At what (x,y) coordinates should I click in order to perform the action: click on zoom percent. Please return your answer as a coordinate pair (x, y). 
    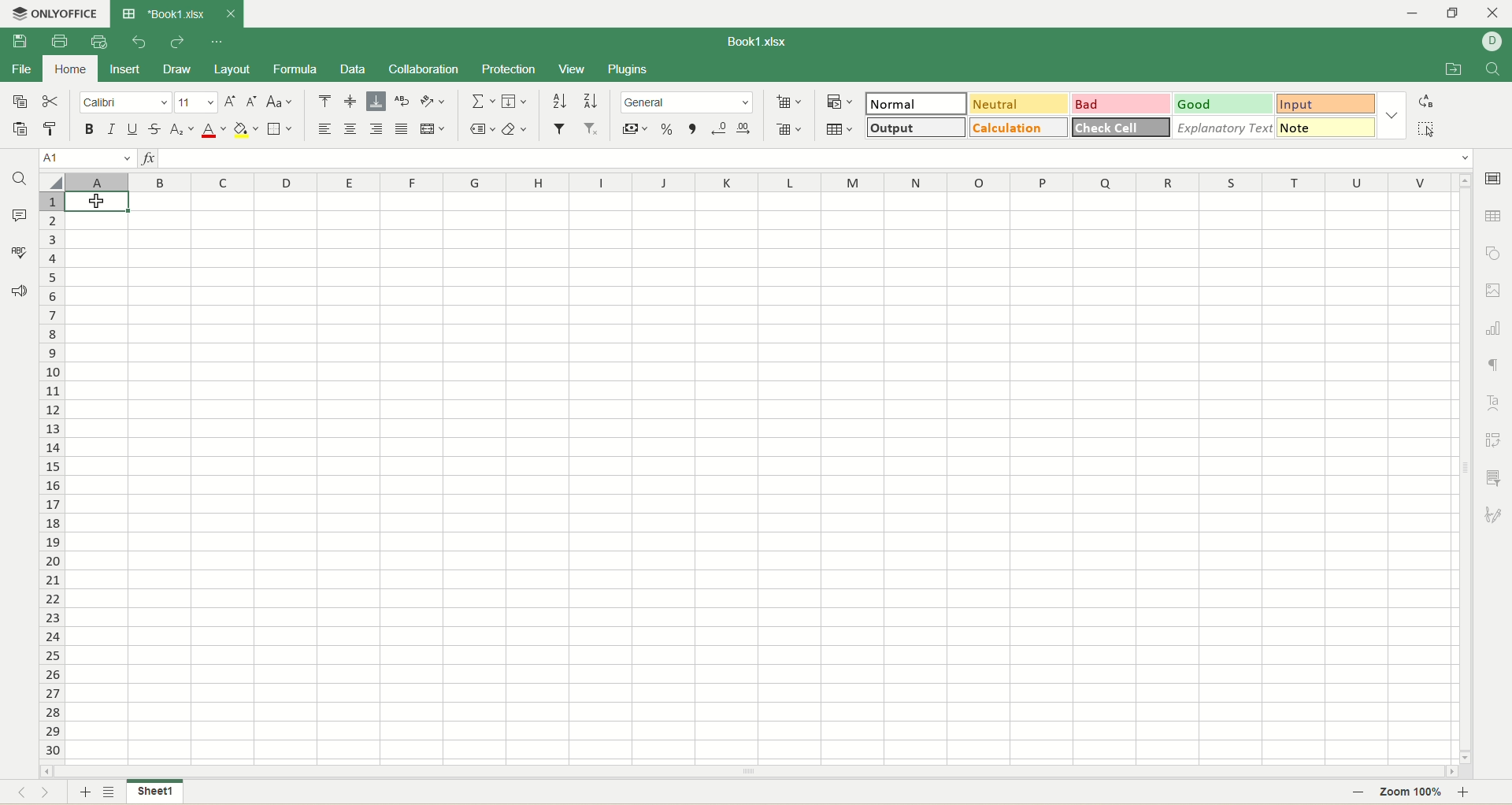
    Looking at the image, I should click on (1412, 793).